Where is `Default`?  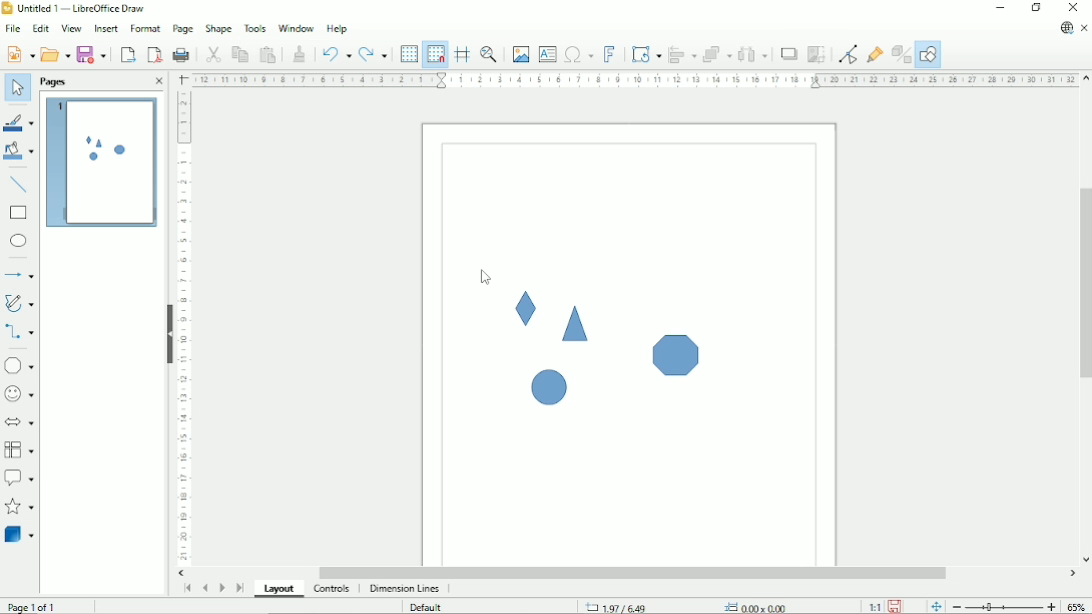 Default is located at coordinates (429, 606).